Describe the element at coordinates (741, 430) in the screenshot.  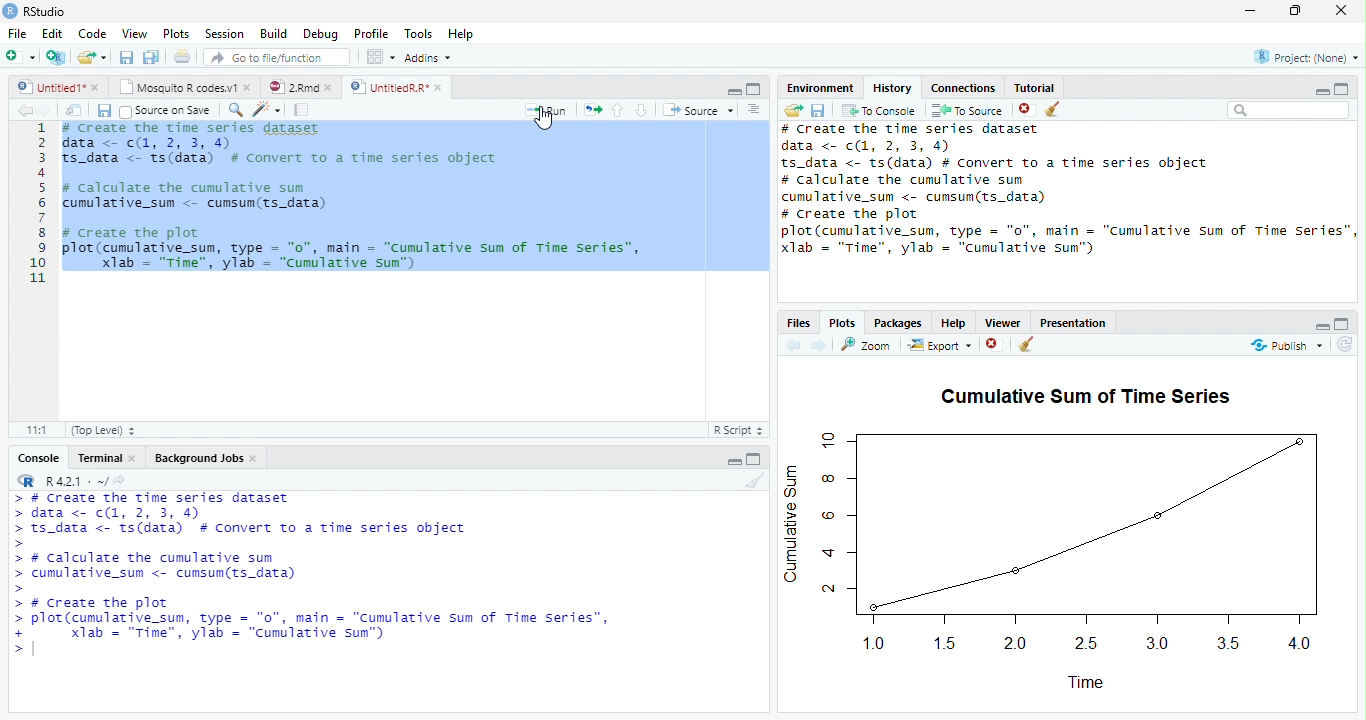
I see `R script` at that location.